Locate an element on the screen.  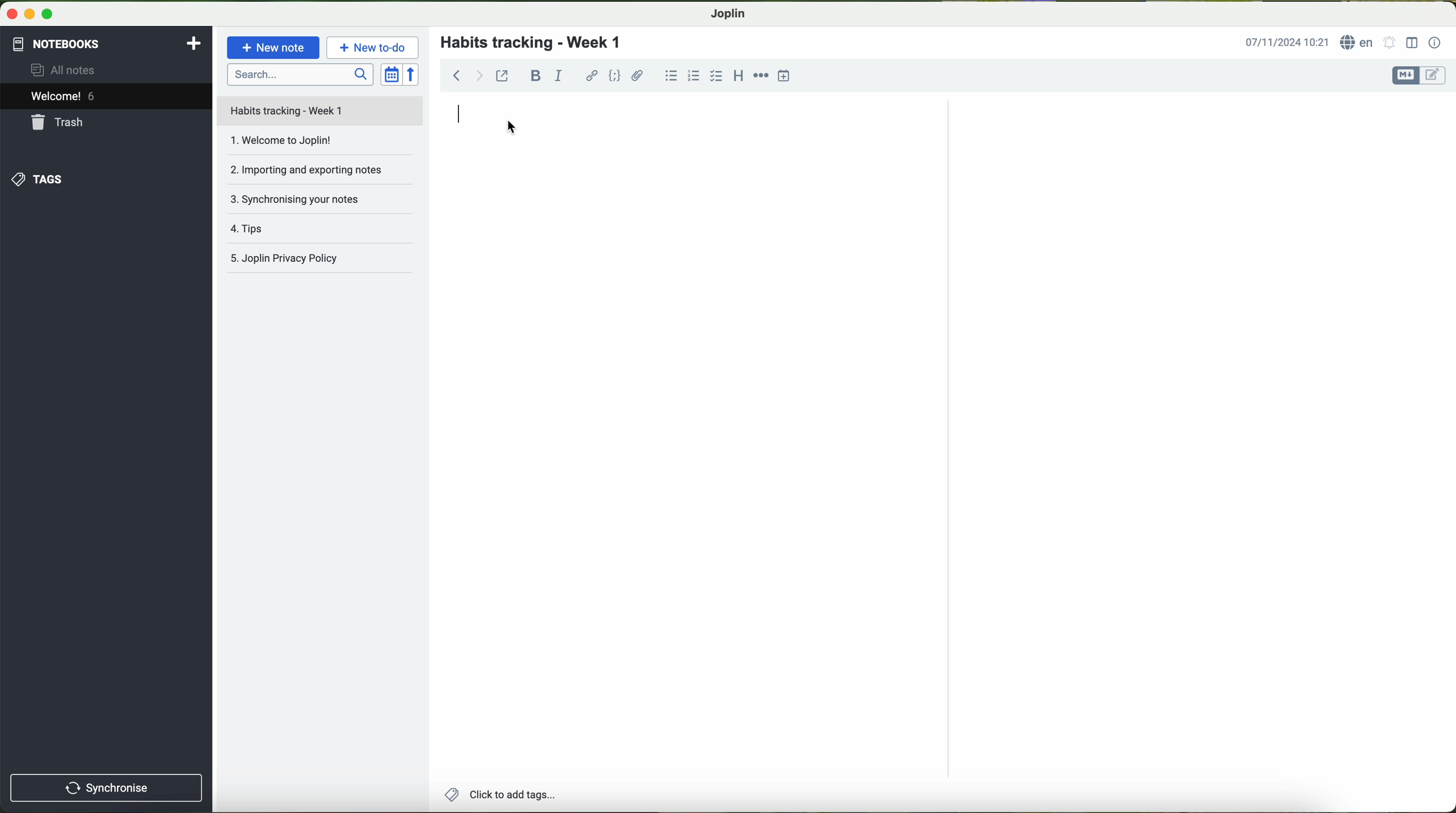
tags is located at coordinates (38, 180).